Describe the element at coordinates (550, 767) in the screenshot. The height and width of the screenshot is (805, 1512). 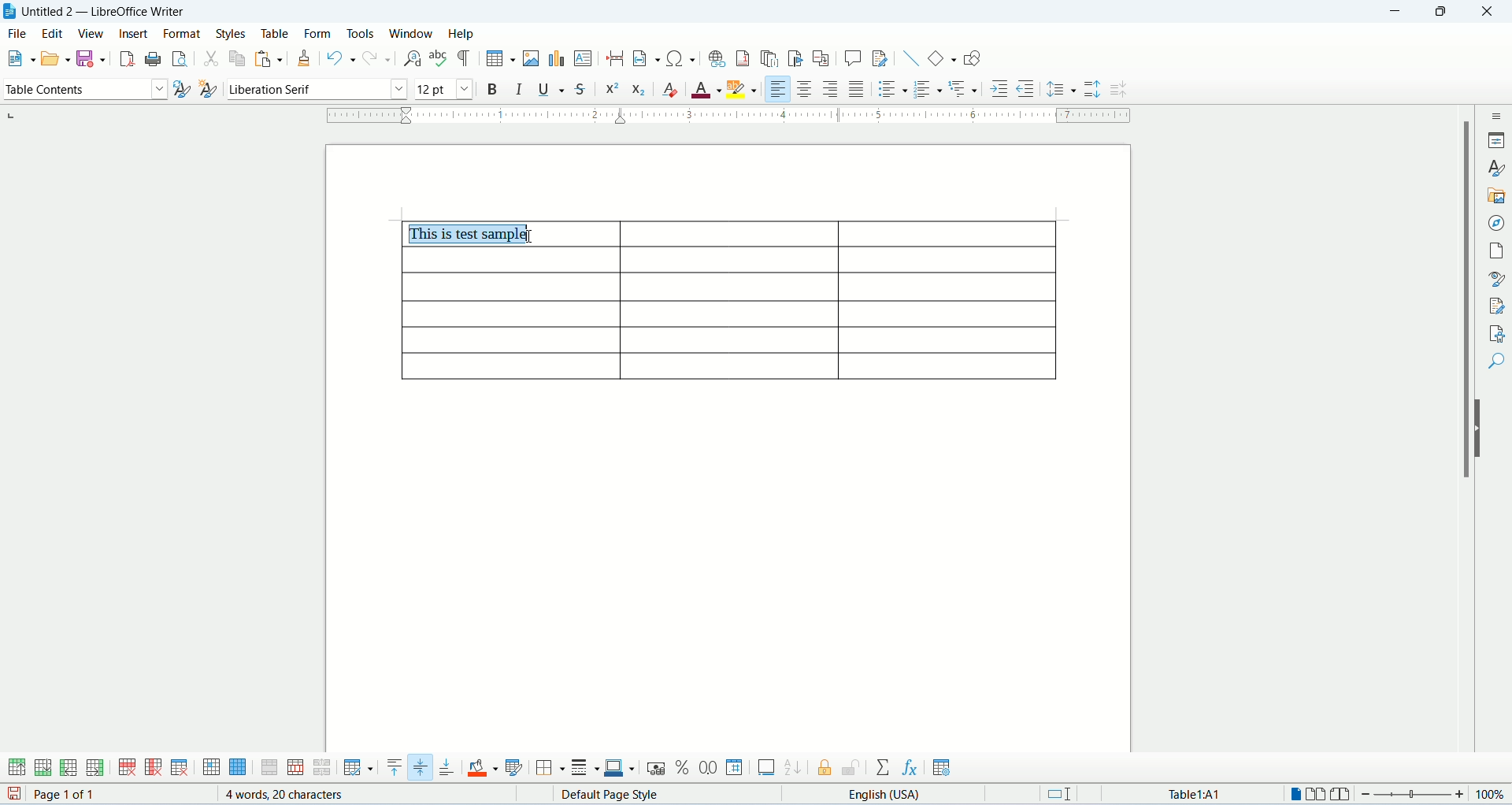
I see `borders` at that location.